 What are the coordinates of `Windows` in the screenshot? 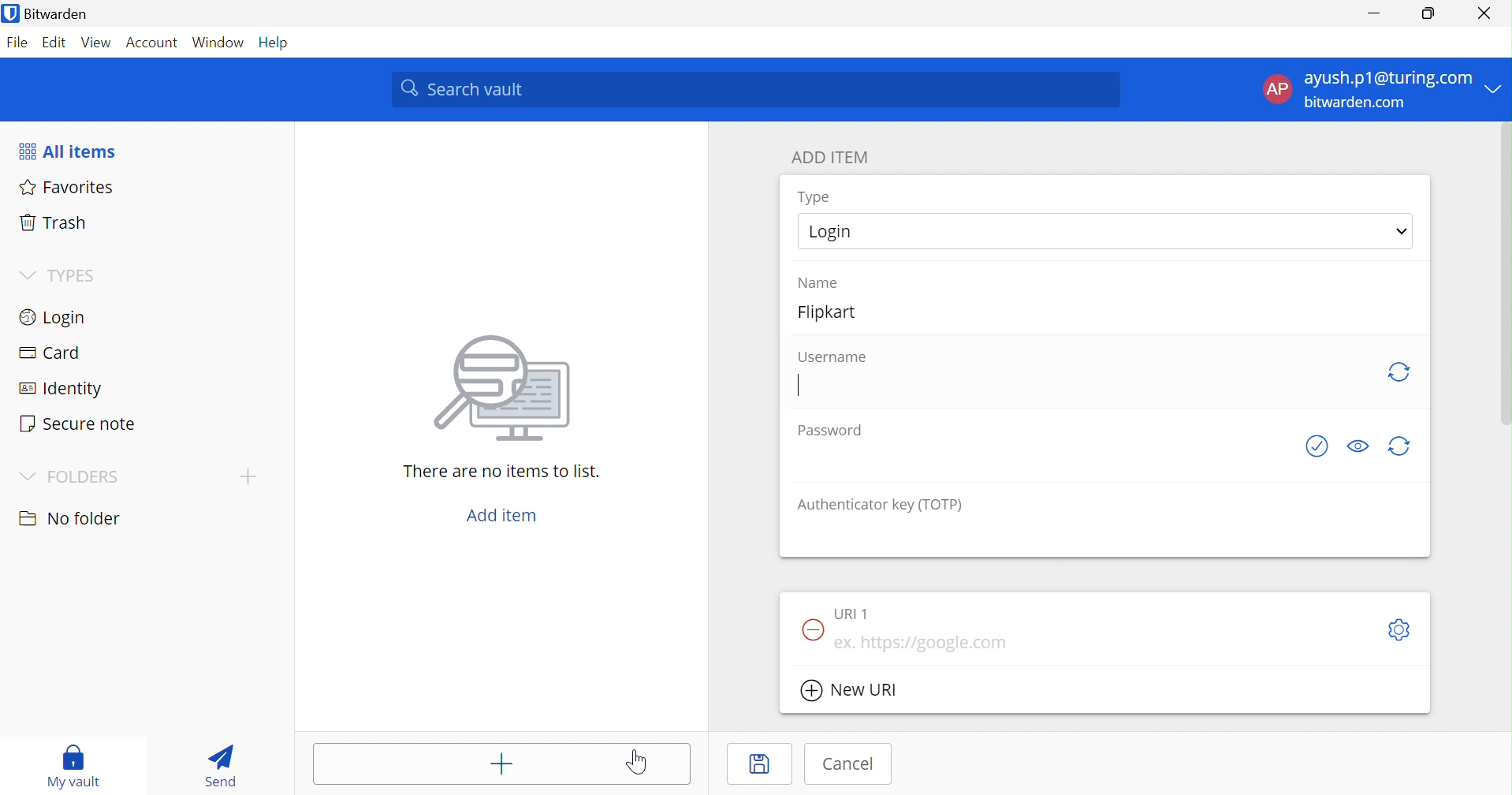 It's located at (220, 43).